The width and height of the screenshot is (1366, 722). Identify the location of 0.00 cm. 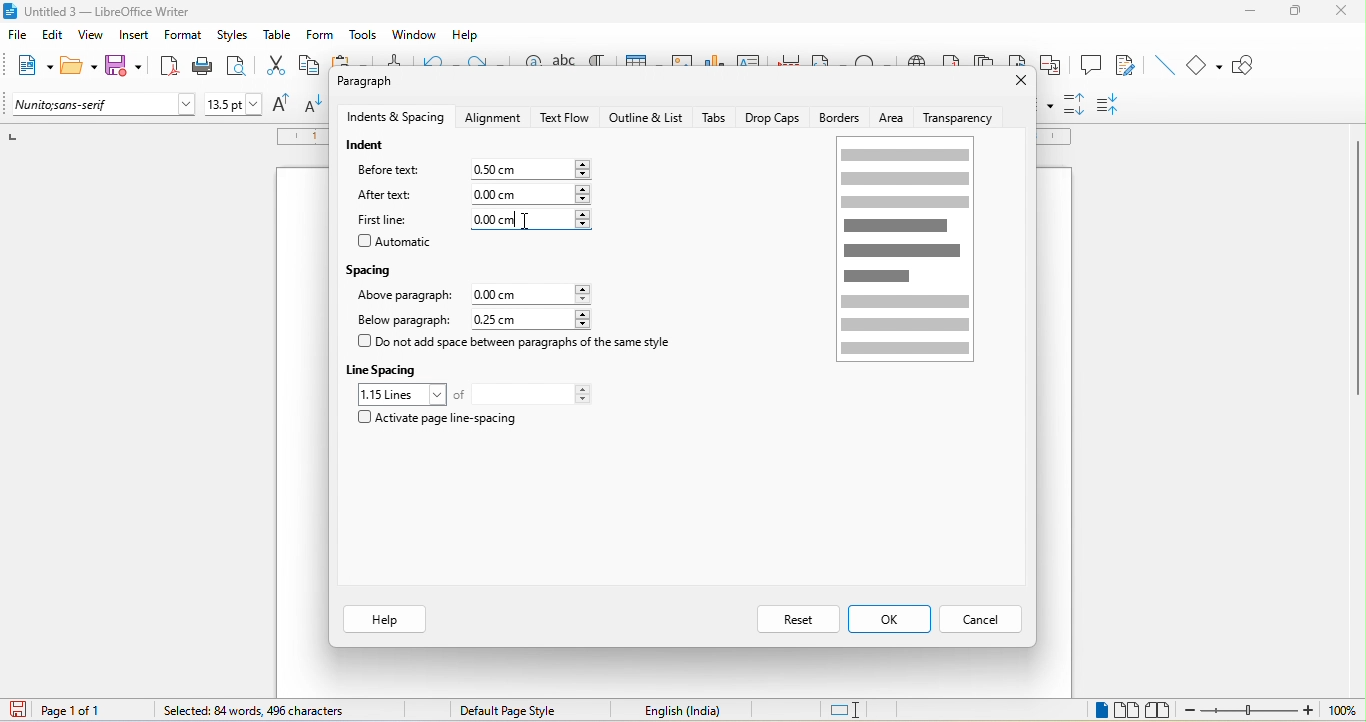
(516, 295).